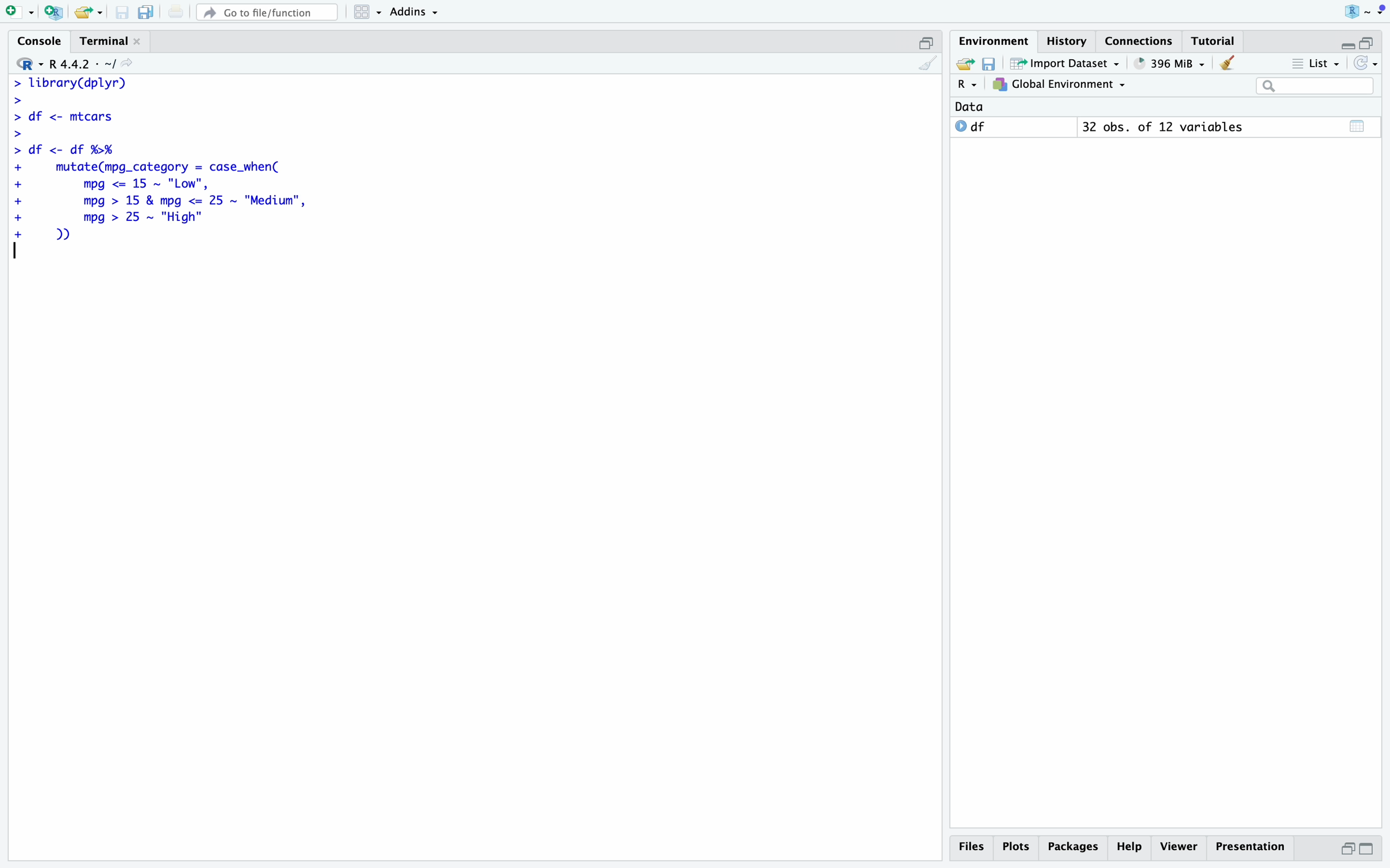  Describe the element at coordinates (970, 106) in the screenshot. I see `data` at that location.